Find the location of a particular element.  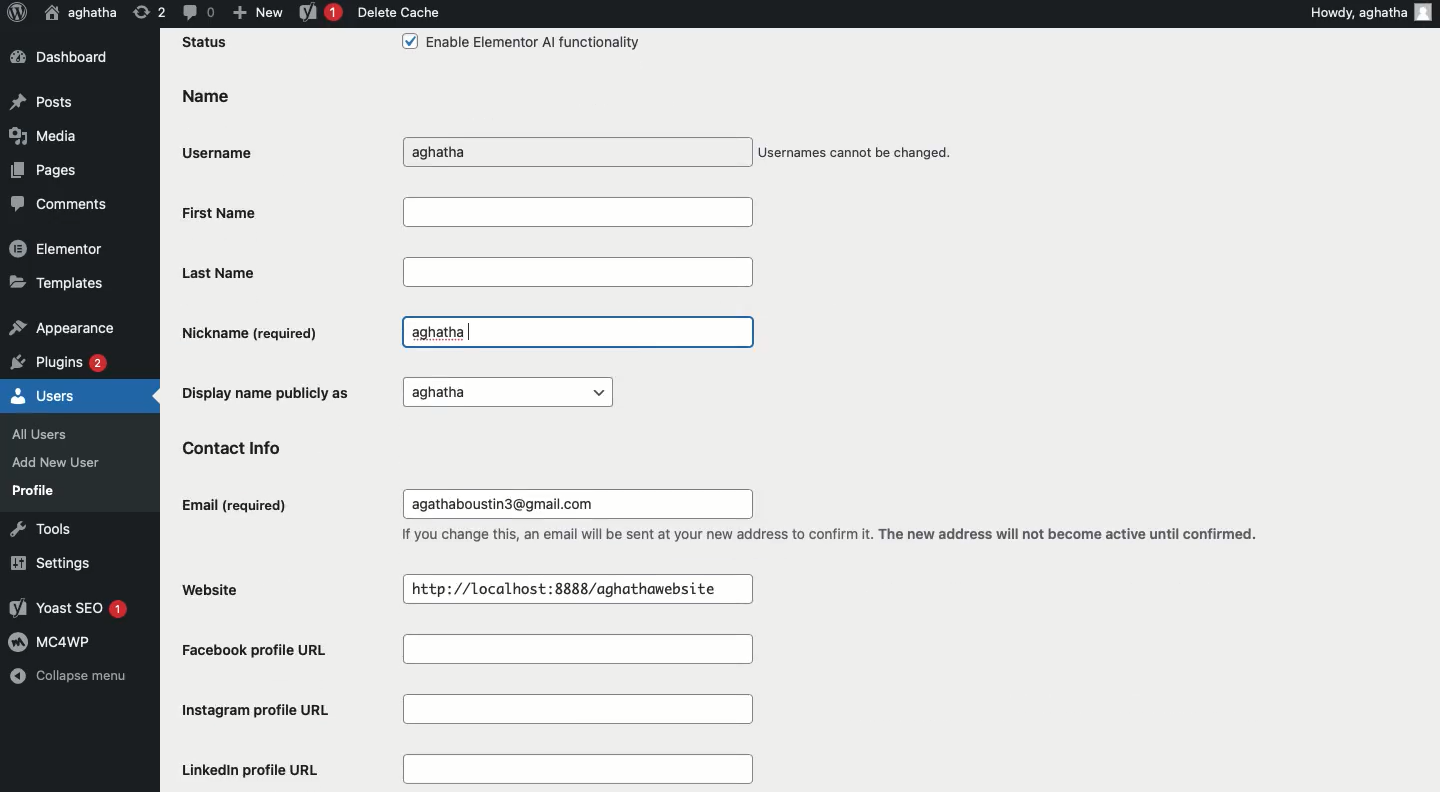

Username is located at coordinates (224, 149).